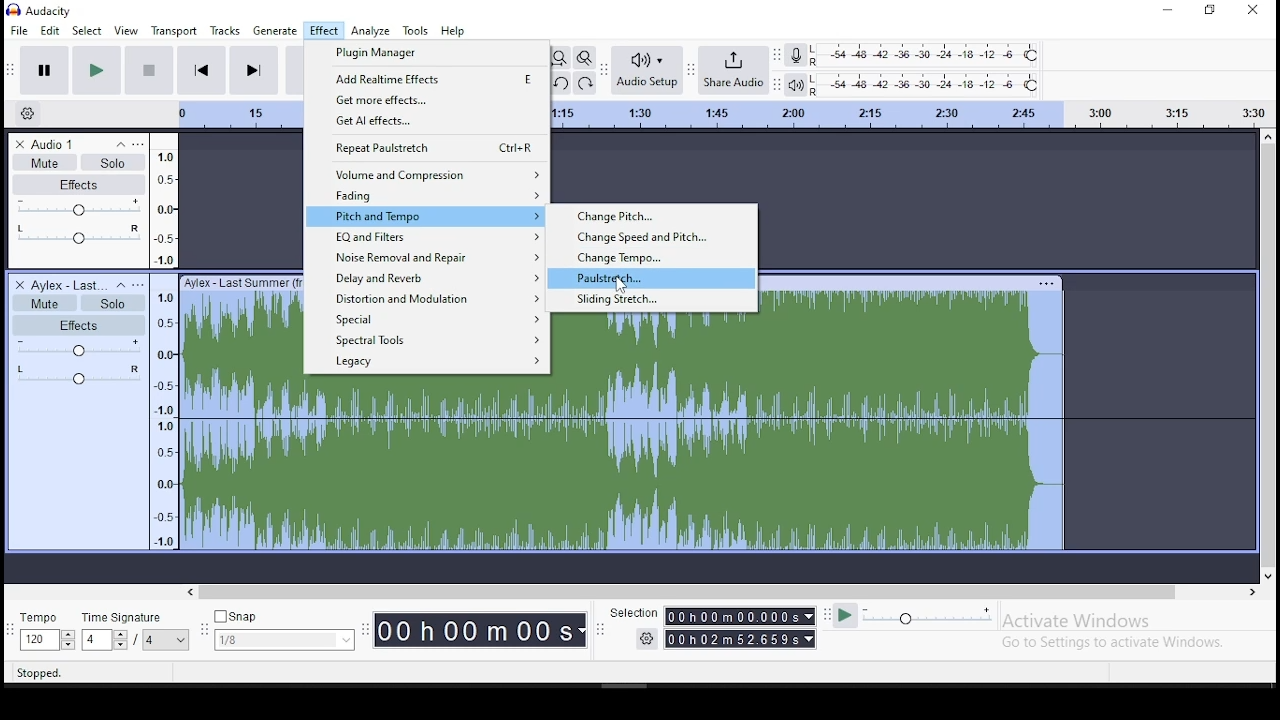 This screenshot has height=720, width=1280. What do you see at coordinates (79, 381) in the screenshot?
I see `audio effect` at bounding box center [79, 381].